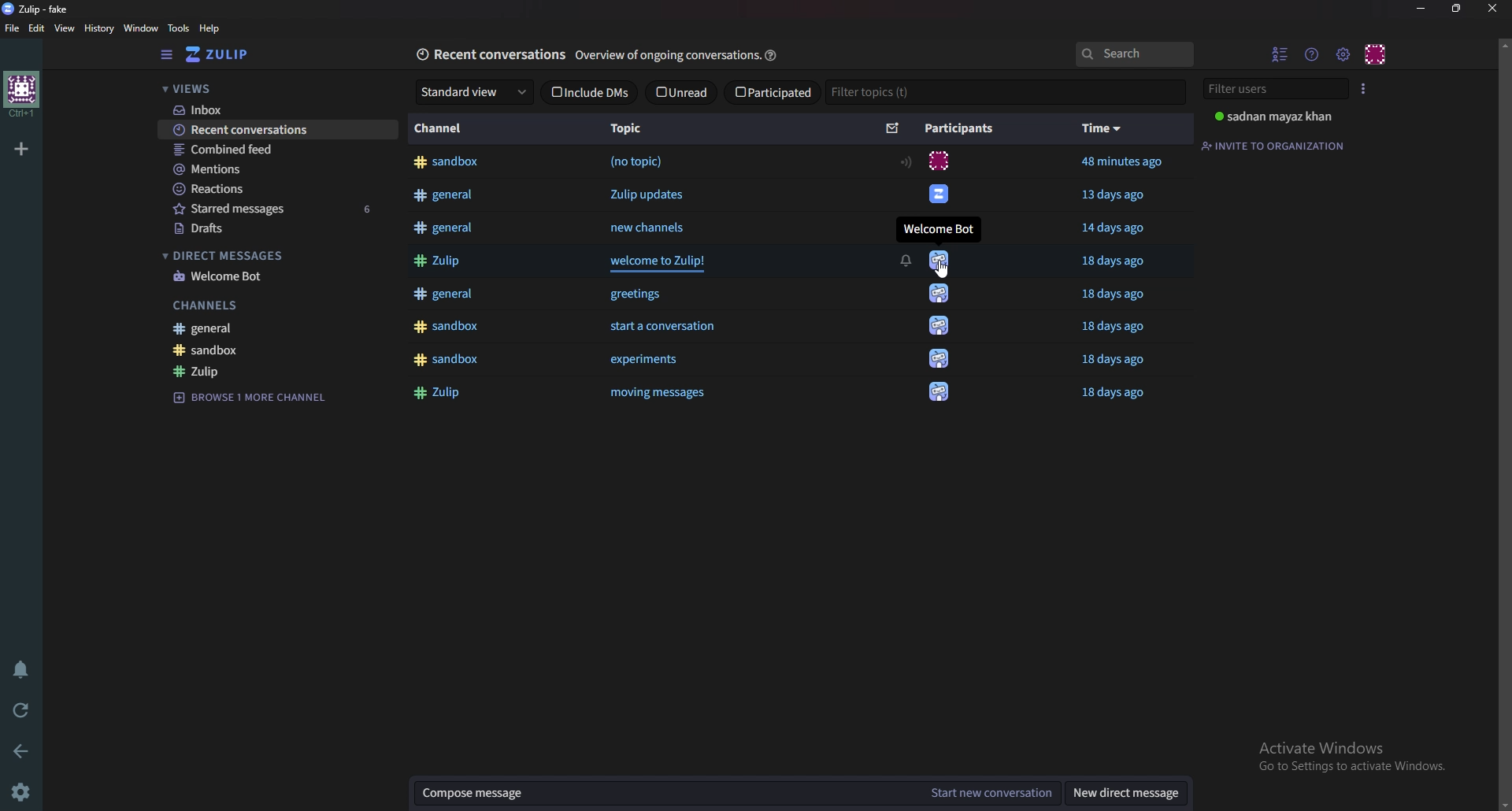  Describe the element at coordinates (281, 350) in the screenshot. I see `sandbox` at that location.